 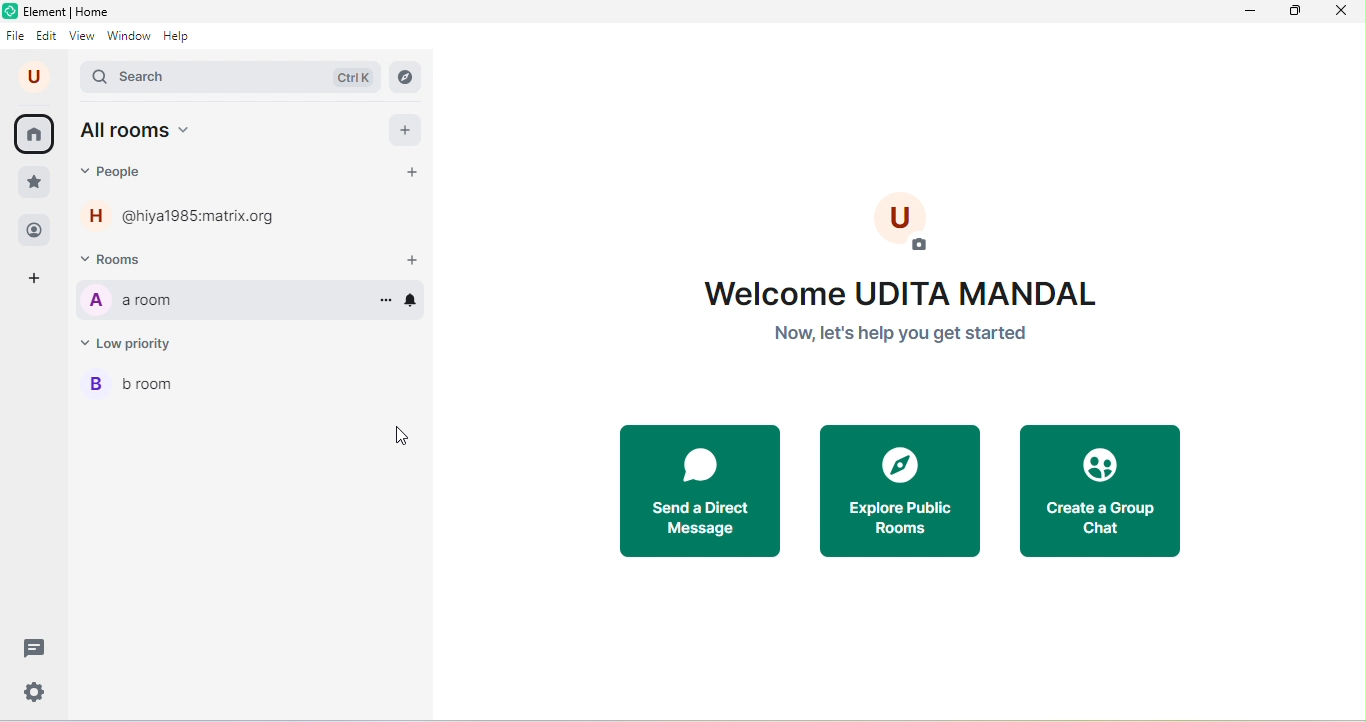 What do you see at coordinates (698, 491) in the screenshot?
I see `send a direct message` at bounding box center [698, 491].